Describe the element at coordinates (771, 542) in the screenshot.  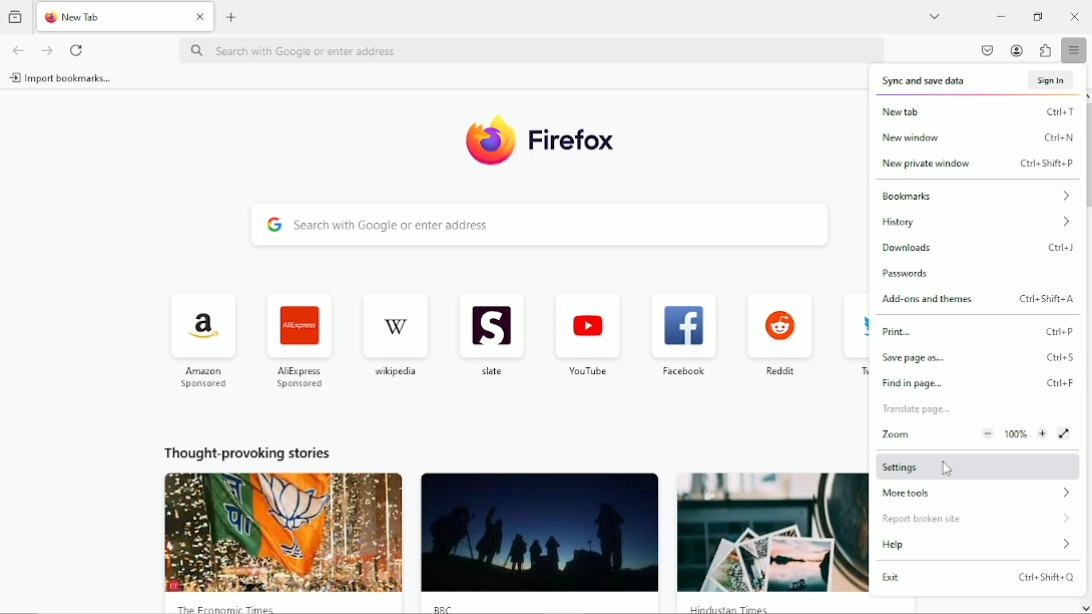
I see `news` at that location.